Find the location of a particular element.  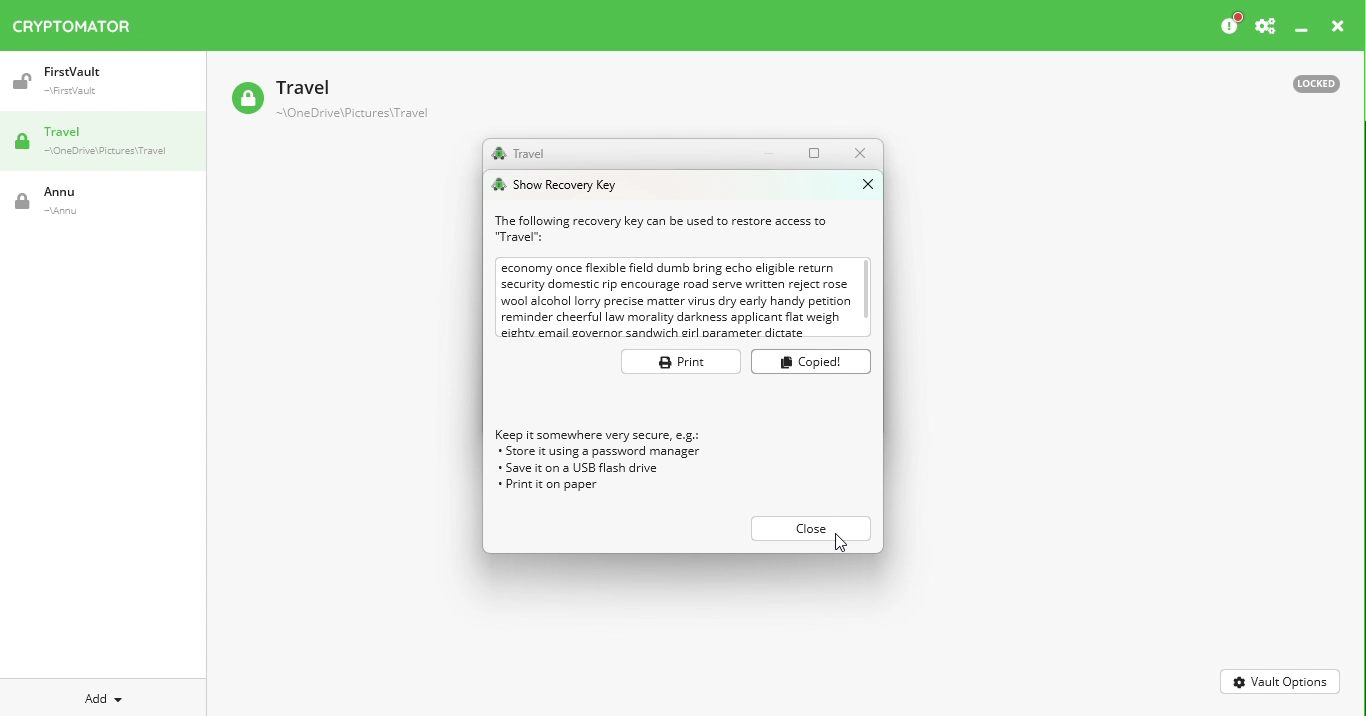

Vault options is located at coordinates (1281, 680).